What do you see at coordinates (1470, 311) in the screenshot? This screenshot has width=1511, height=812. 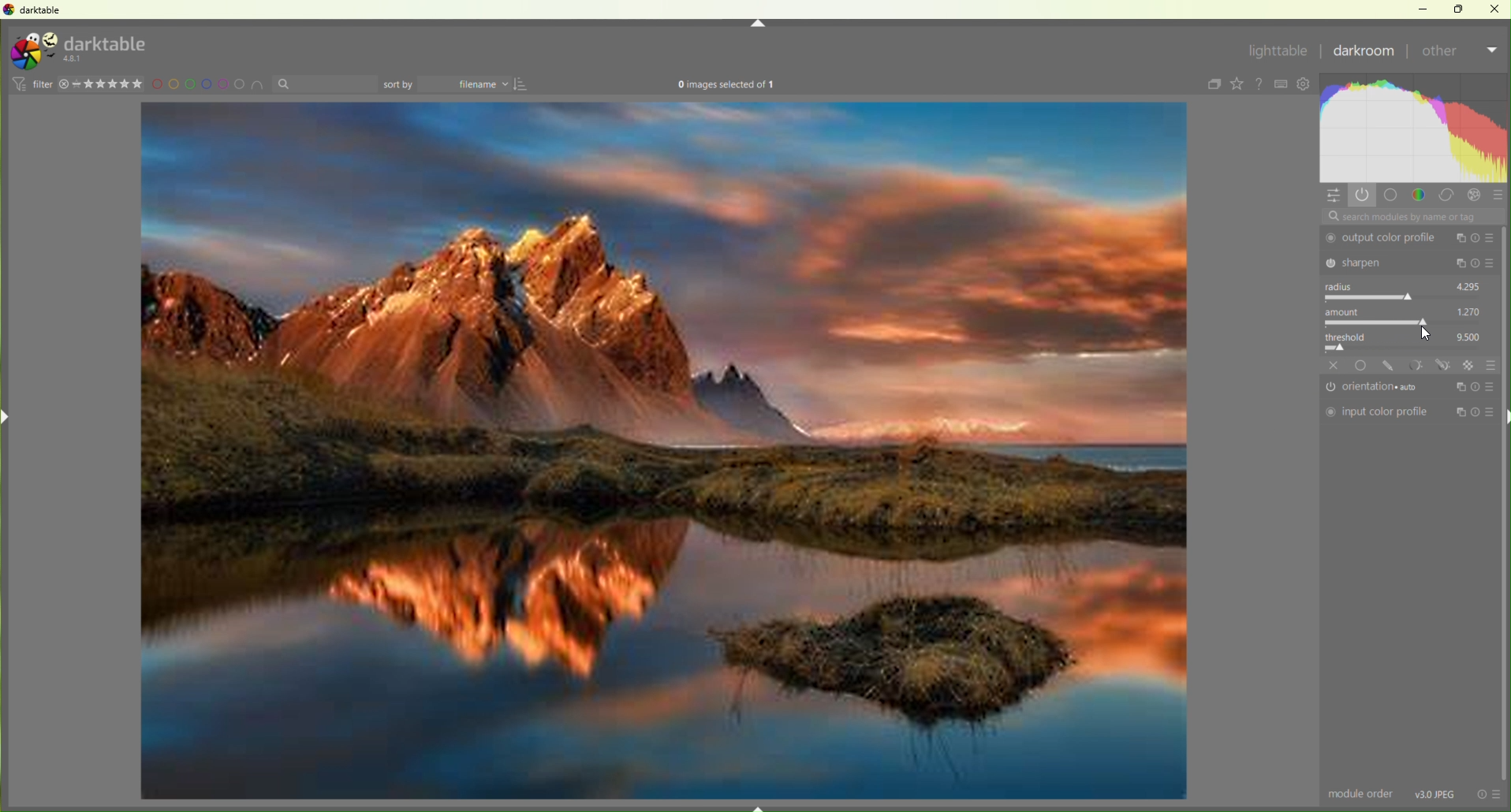 I see `value` at bounding box center [1470, 311].